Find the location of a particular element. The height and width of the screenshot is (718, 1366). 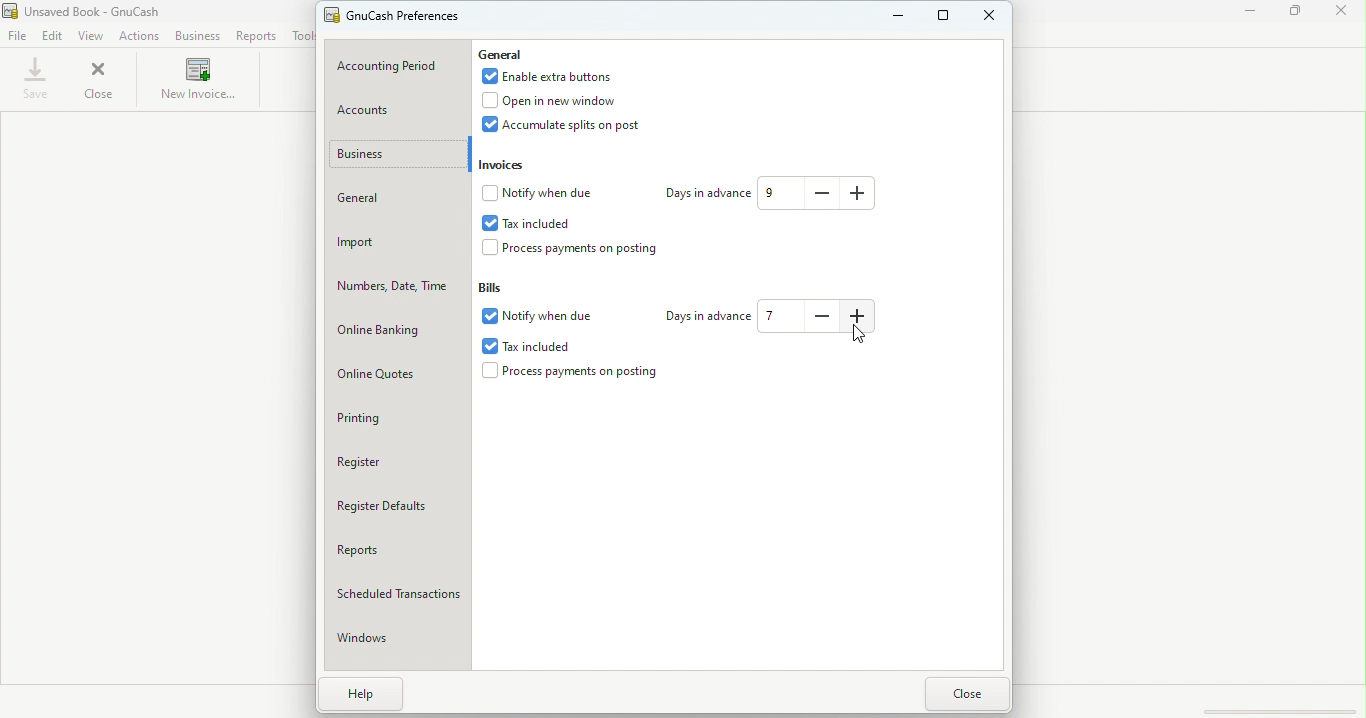

File is located at coordinates (19, 34).